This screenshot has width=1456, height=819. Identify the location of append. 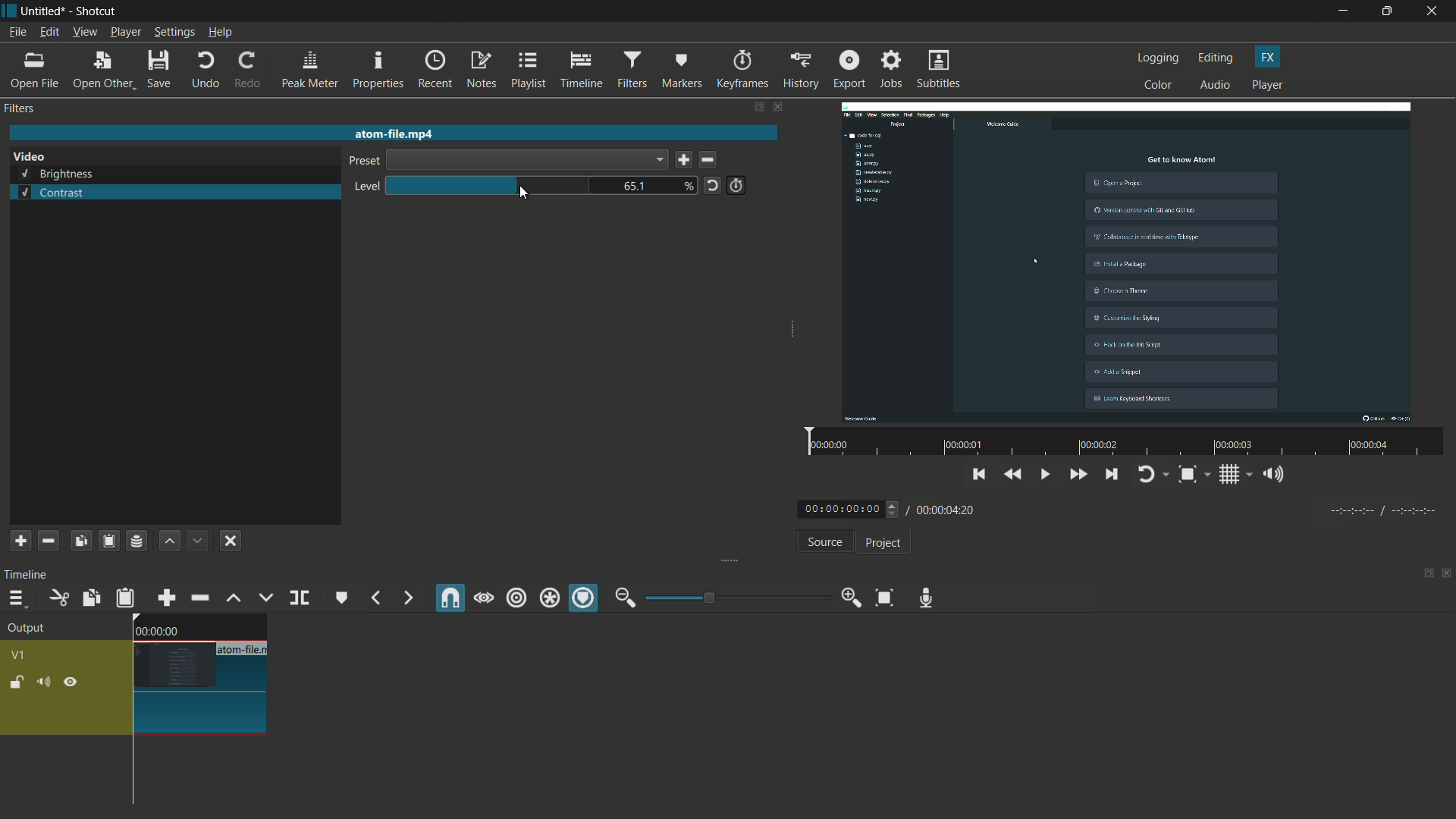
(165, 598).